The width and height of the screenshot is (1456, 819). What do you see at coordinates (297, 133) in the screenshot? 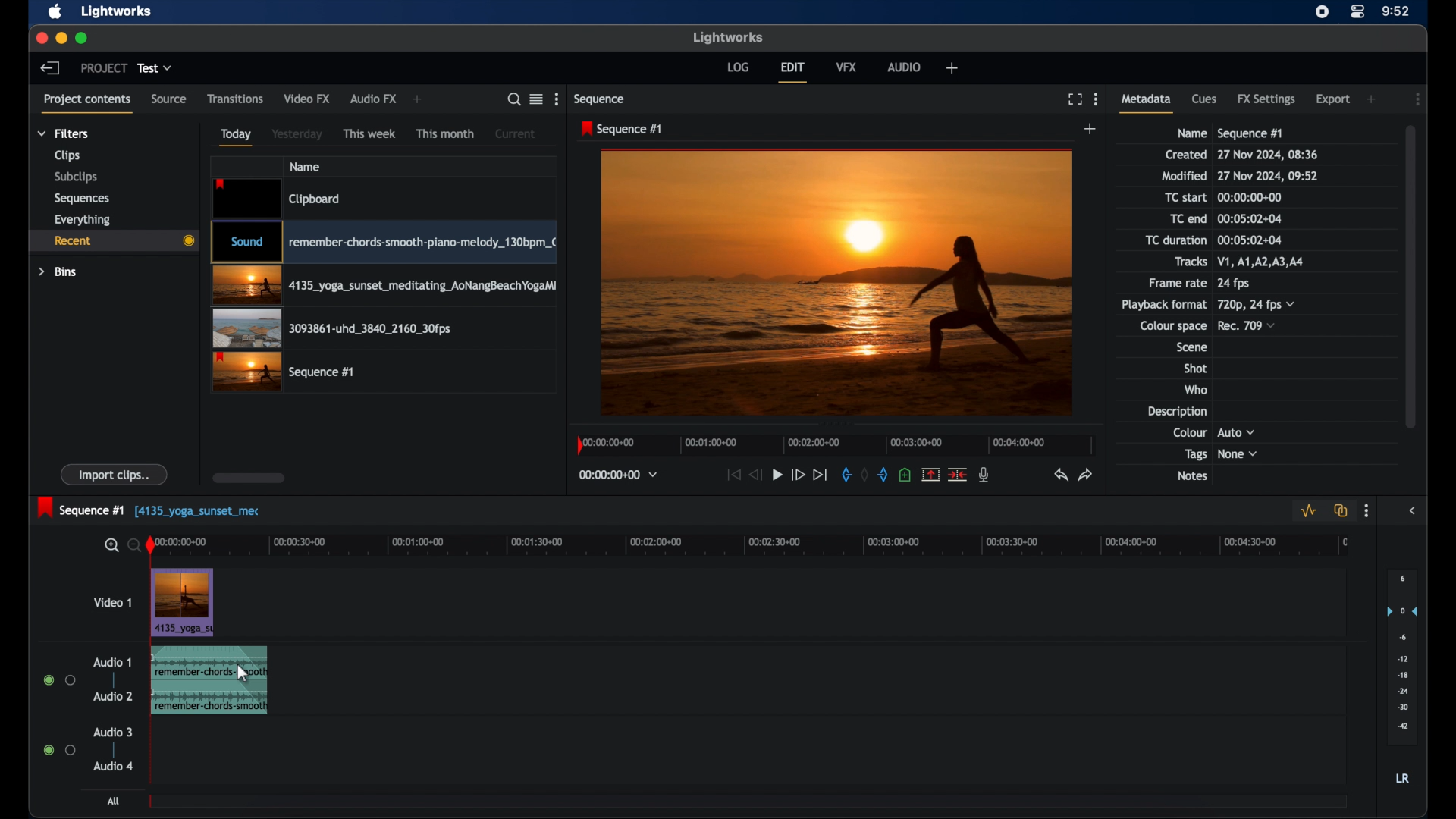
I see `yesterday` at bounding box center [297, 133].